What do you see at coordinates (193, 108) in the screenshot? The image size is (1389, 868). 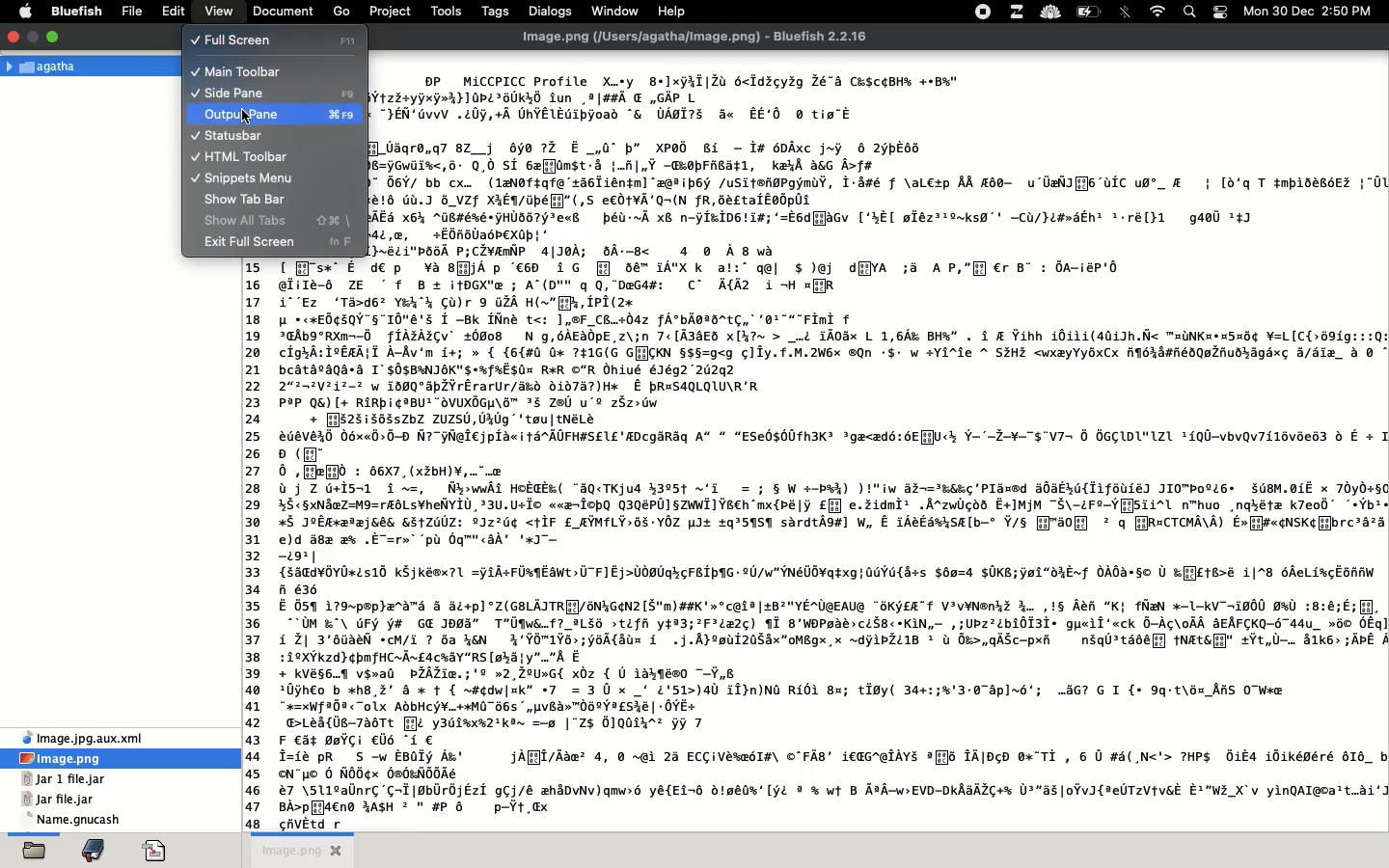 I see `tick indicating the corresponding option is toggle on` at bounding box center [193, 108].